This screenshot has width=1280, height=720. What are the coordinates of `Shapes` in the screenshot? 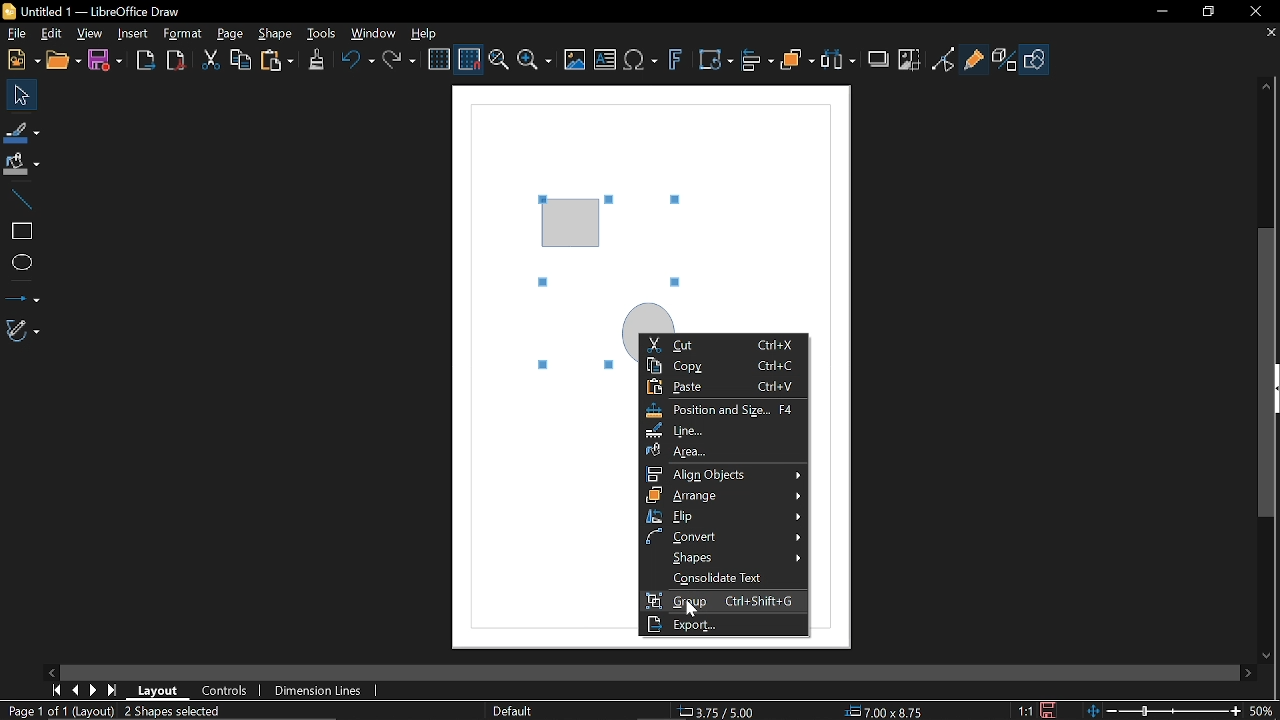 It's located at (1034, 59).